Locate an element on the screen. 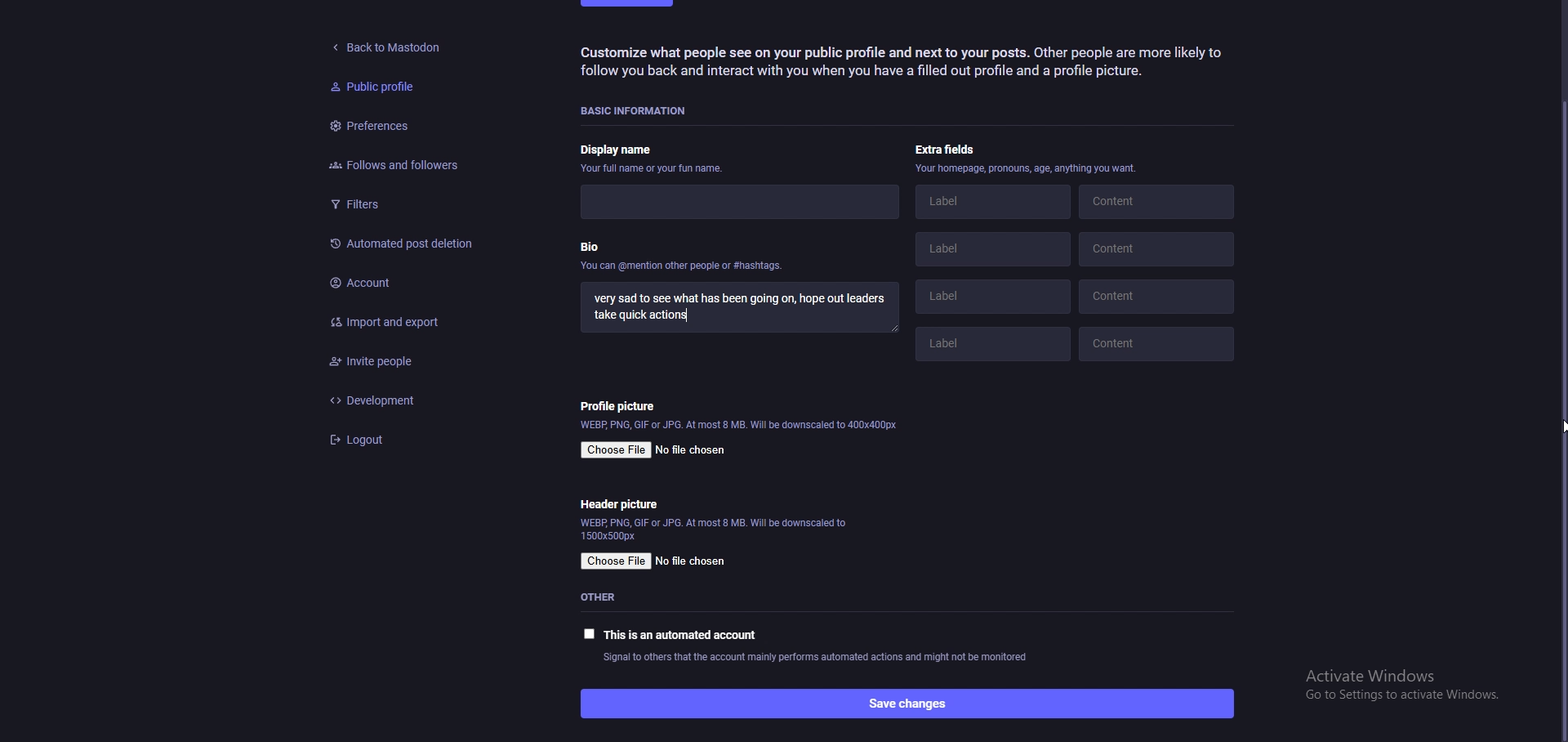 The width and height of the screenshot is (1568, 742). this is an automated account is located at coordinates (670, 634).